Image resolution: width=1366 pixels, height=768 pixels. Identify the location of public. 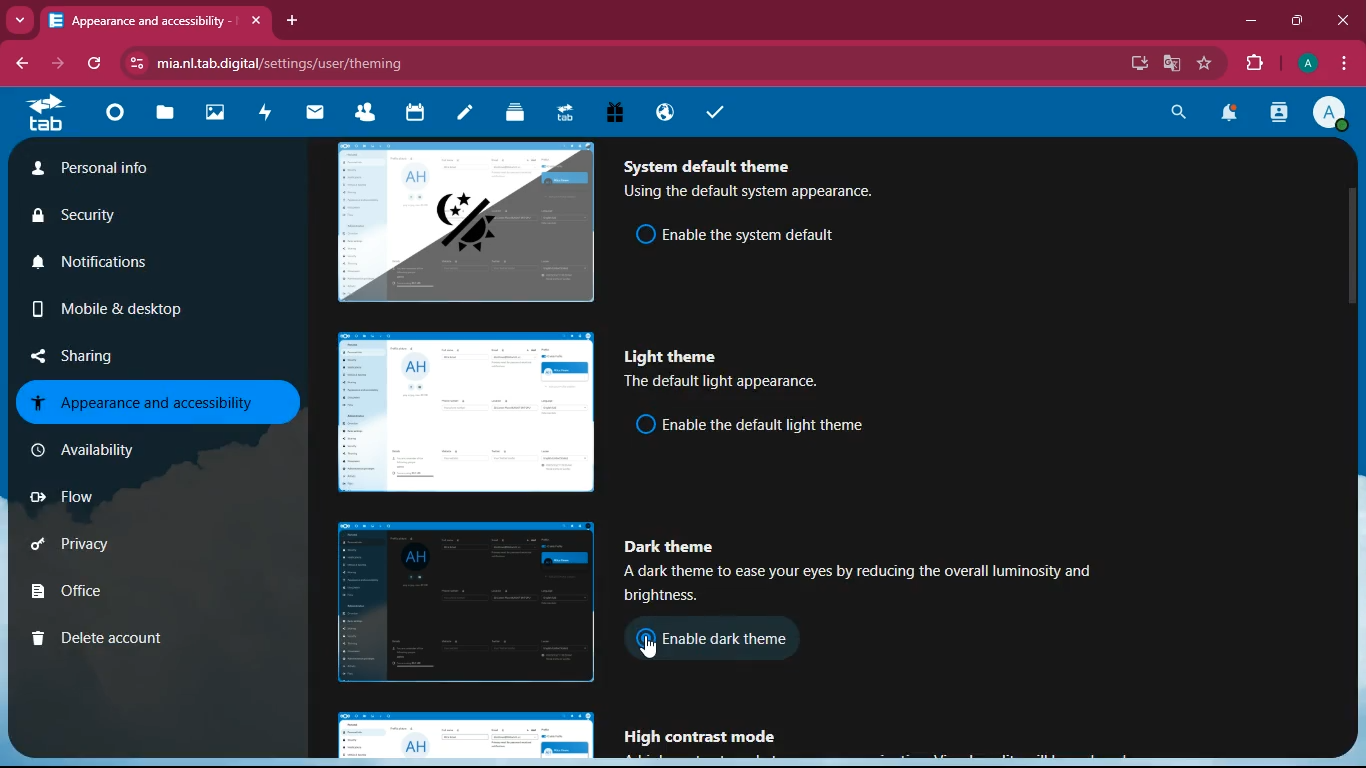
(662, 112).